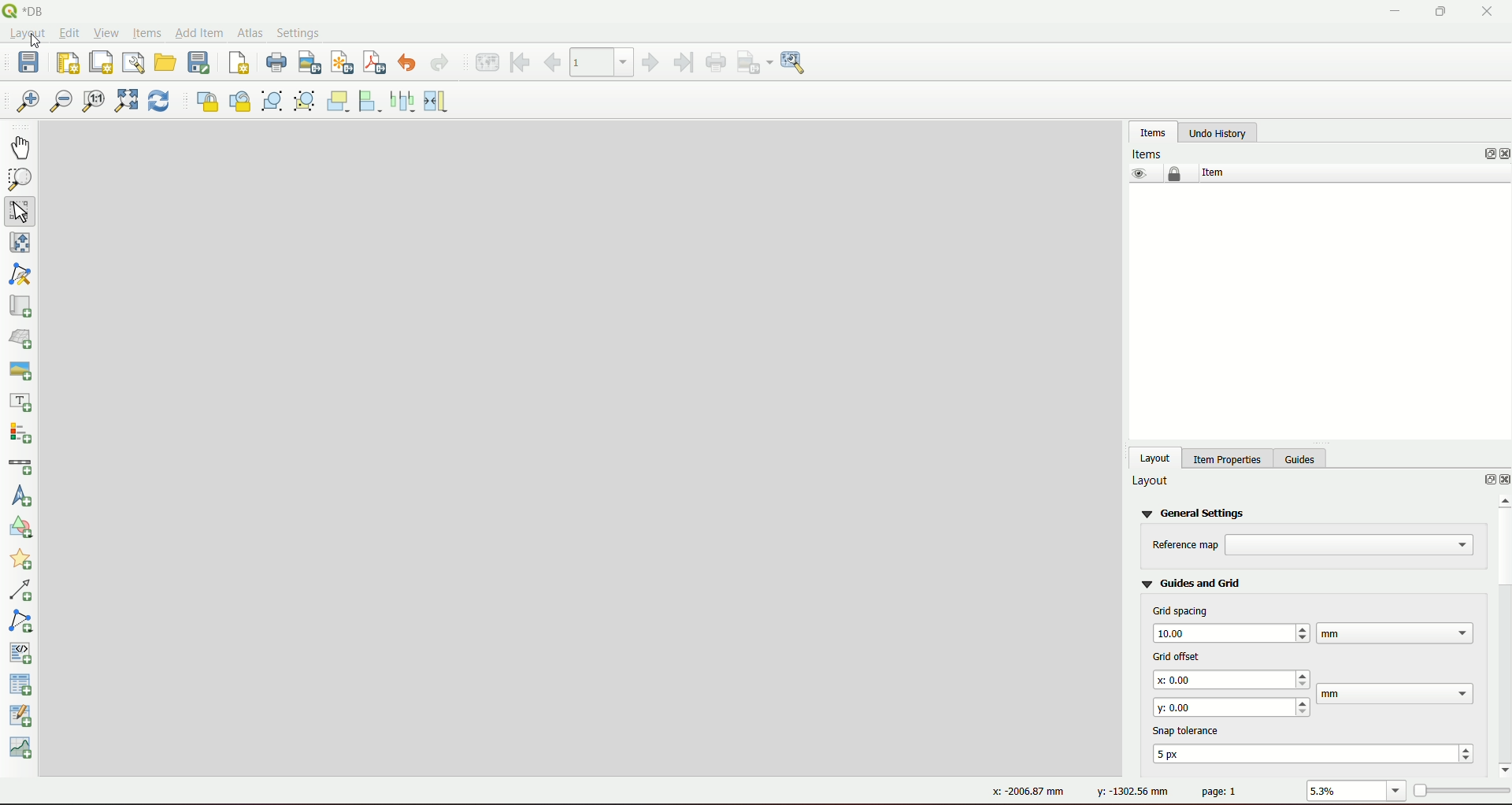  Describe the element at coordinates (1173, 655) in the screenshot. I see `grid offset` at that location.